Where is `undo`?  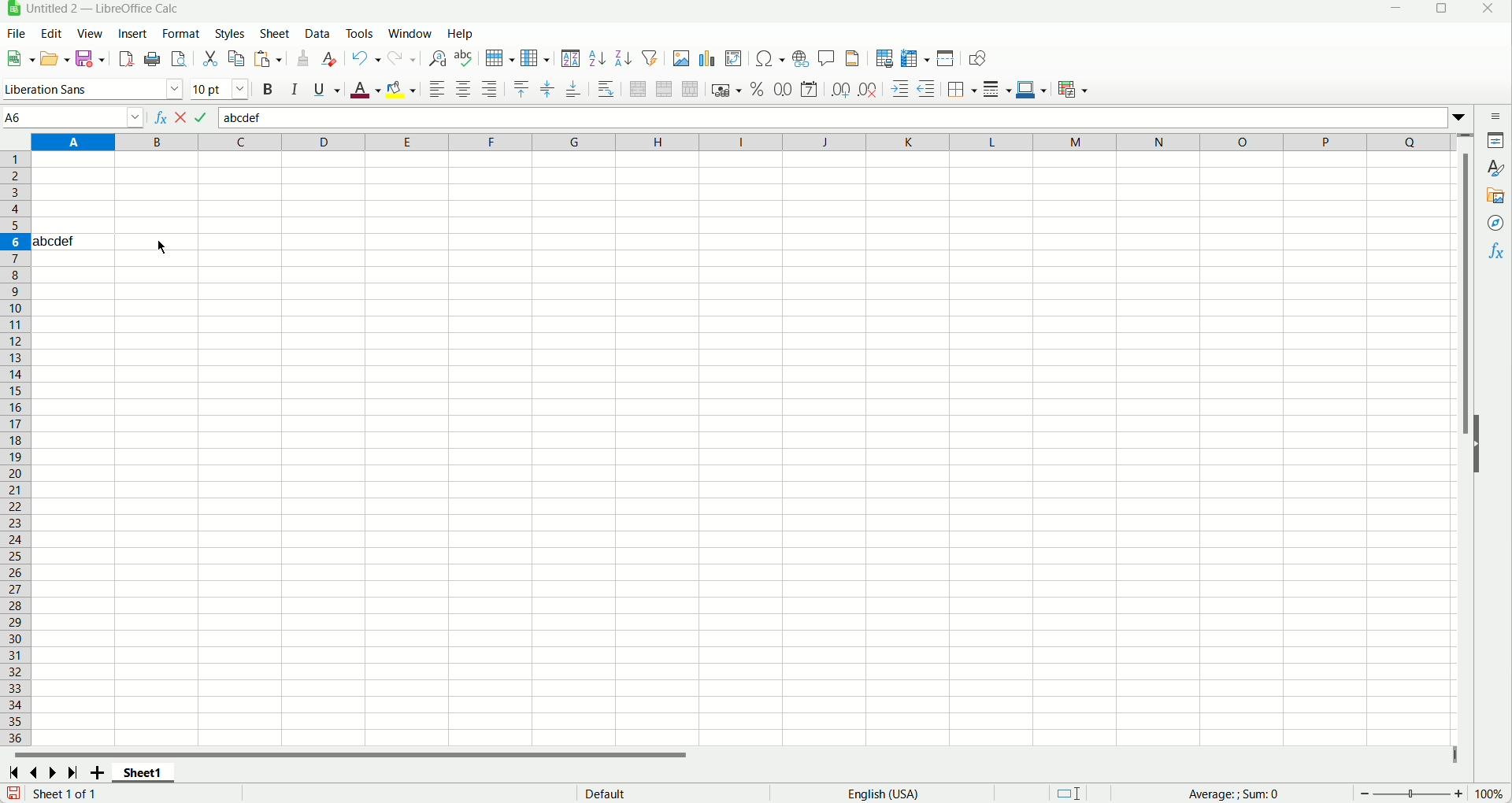 undo is located at coordinates (366, 60).